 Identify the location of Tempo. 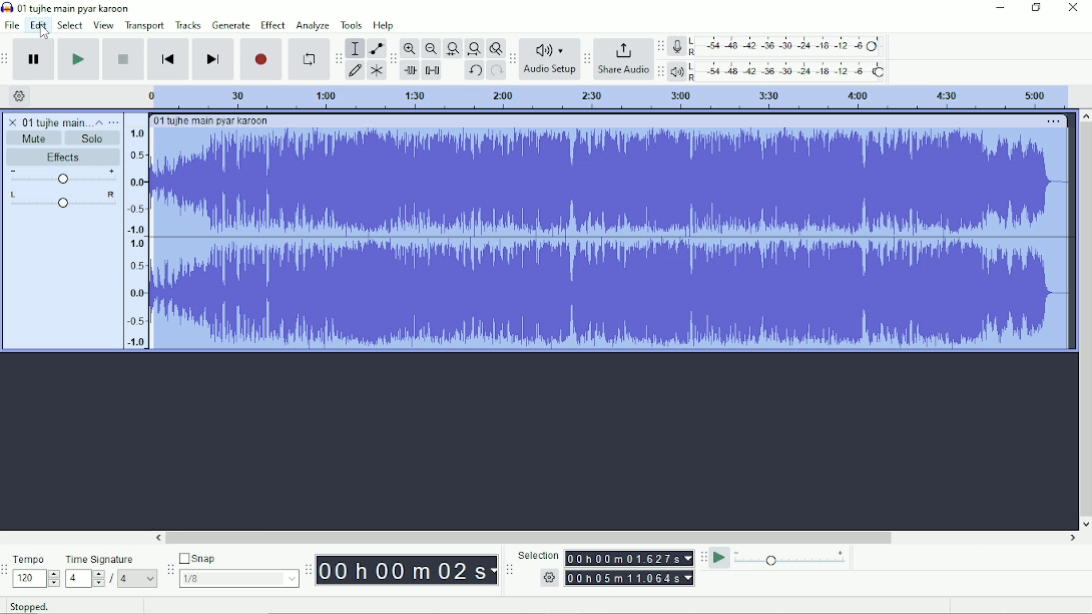
(31, 558).